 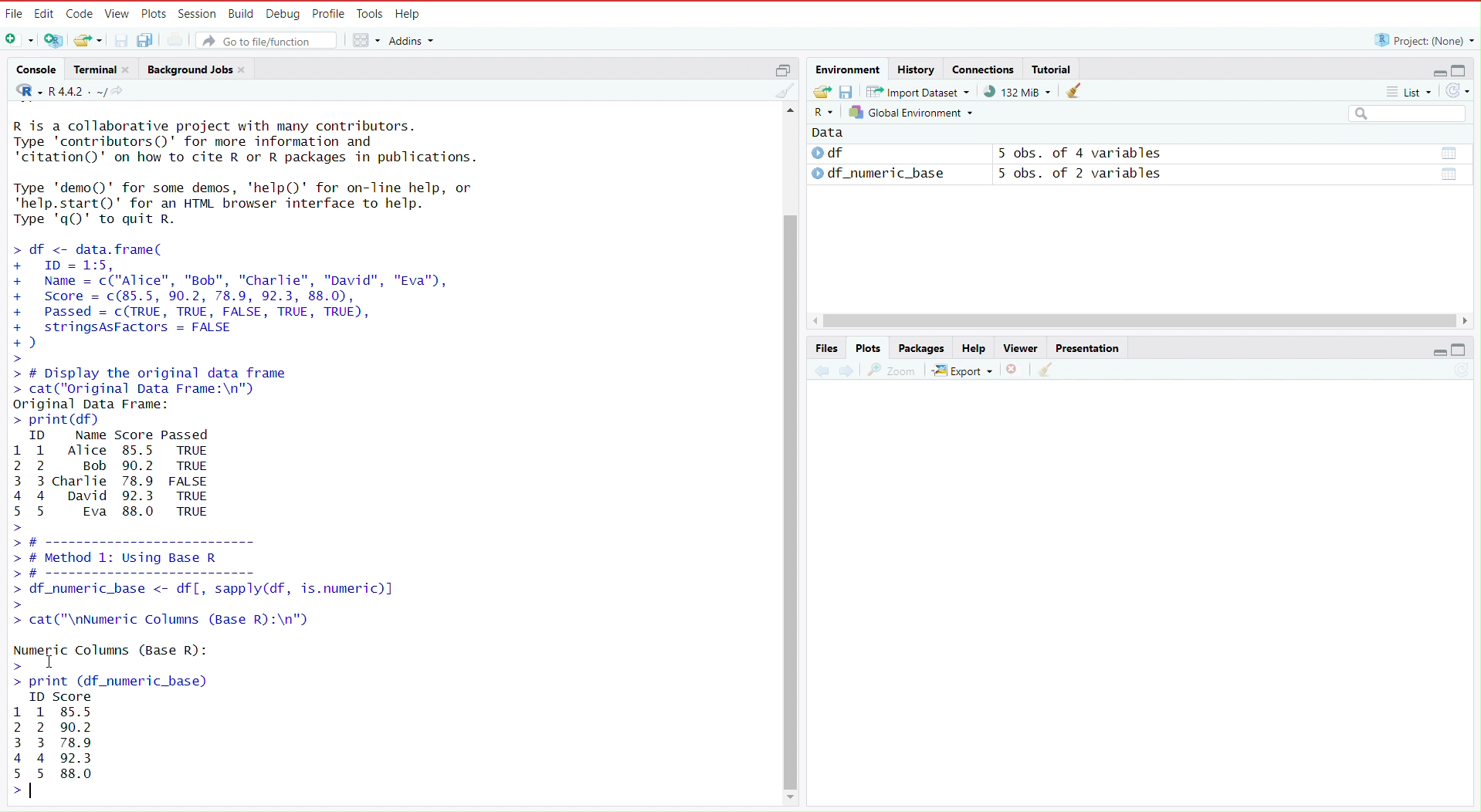 What do you see at coordinates (1014, 370) in the screenshot?
I see `remove the current plot` at bounding box center [1014, 370].